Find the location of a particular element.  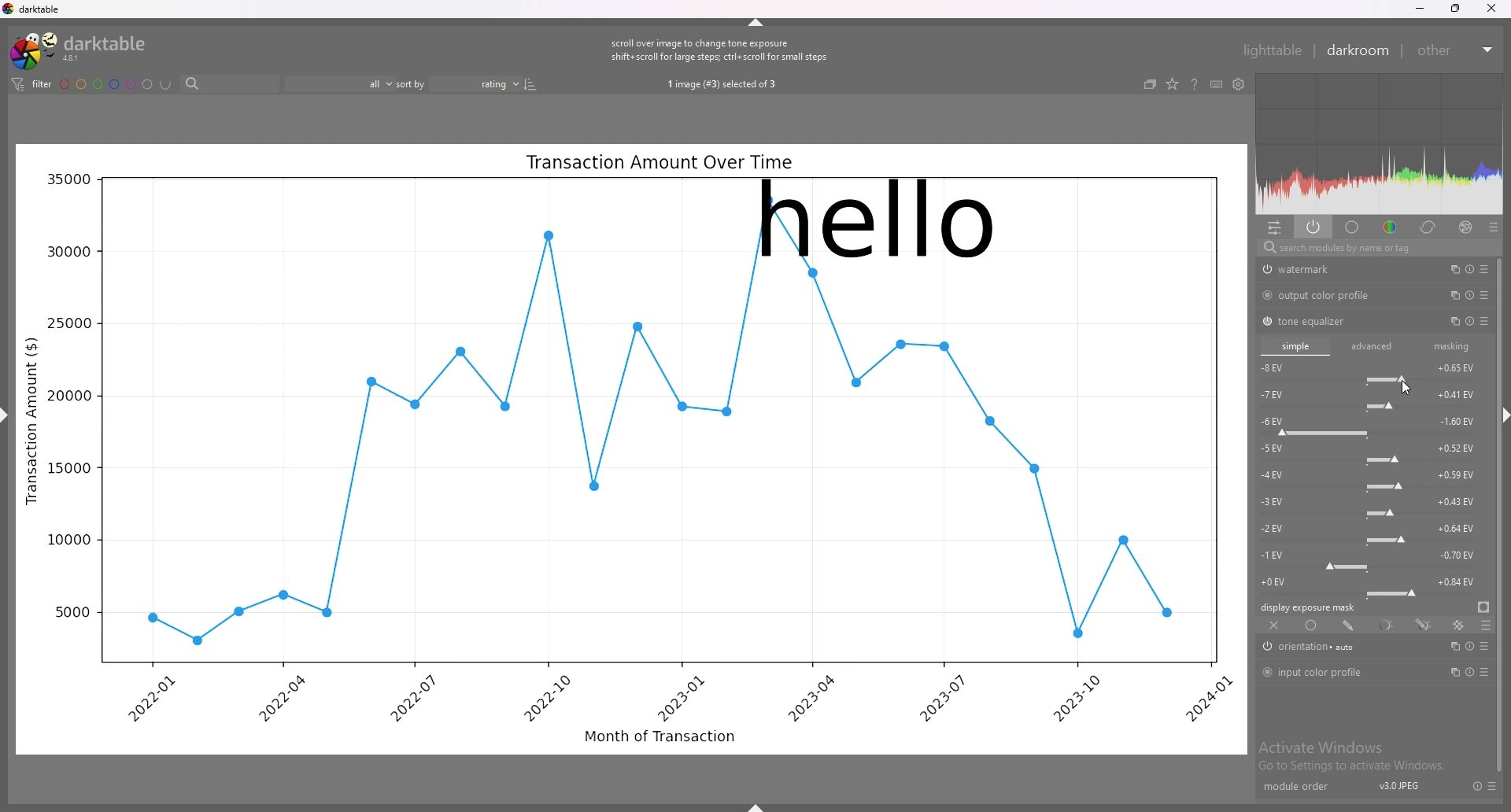

tone equalizer is located at coordinates (1315, 322).